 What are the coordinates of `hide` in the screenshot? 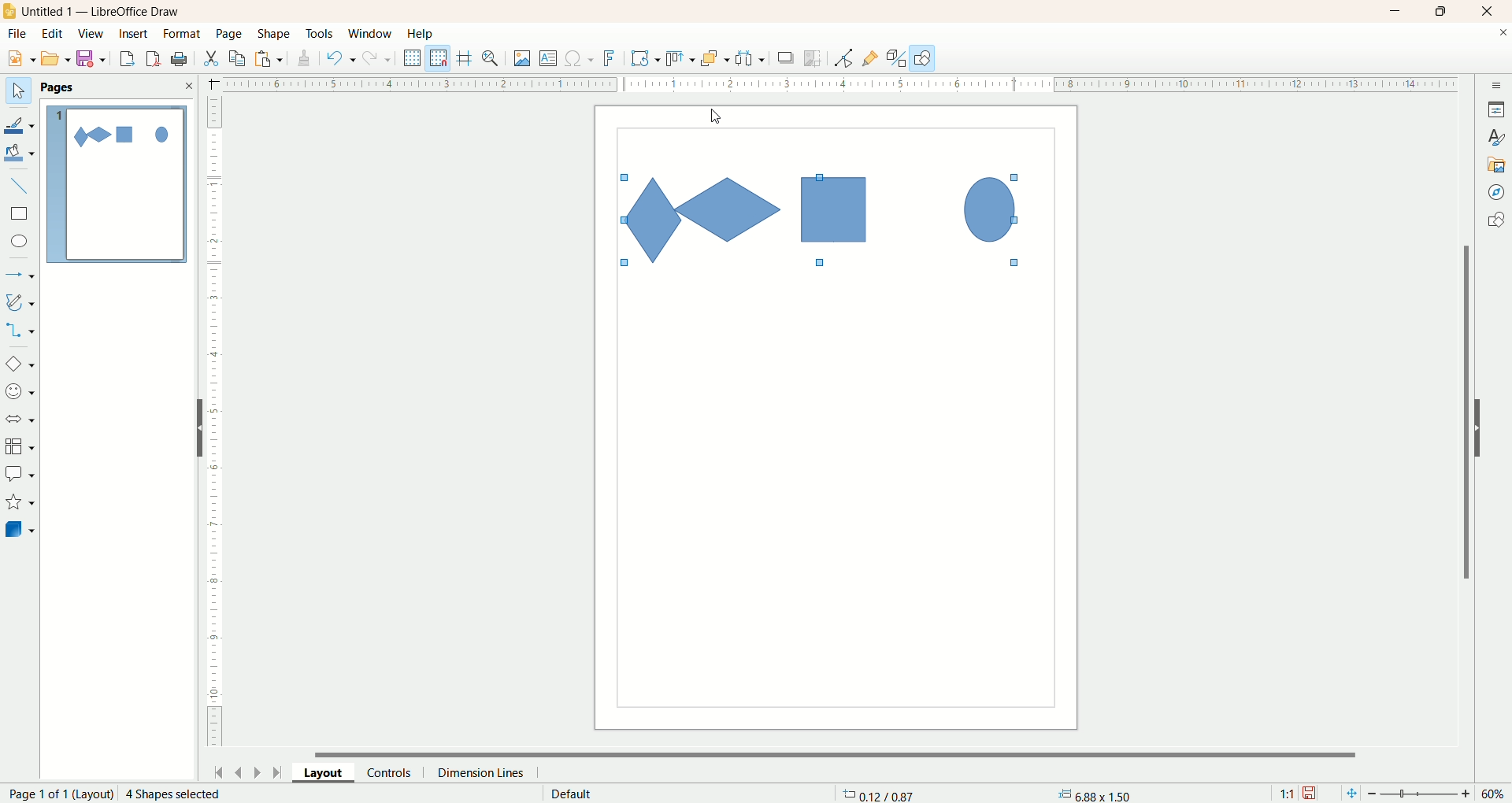 It's located at (1486, 425).